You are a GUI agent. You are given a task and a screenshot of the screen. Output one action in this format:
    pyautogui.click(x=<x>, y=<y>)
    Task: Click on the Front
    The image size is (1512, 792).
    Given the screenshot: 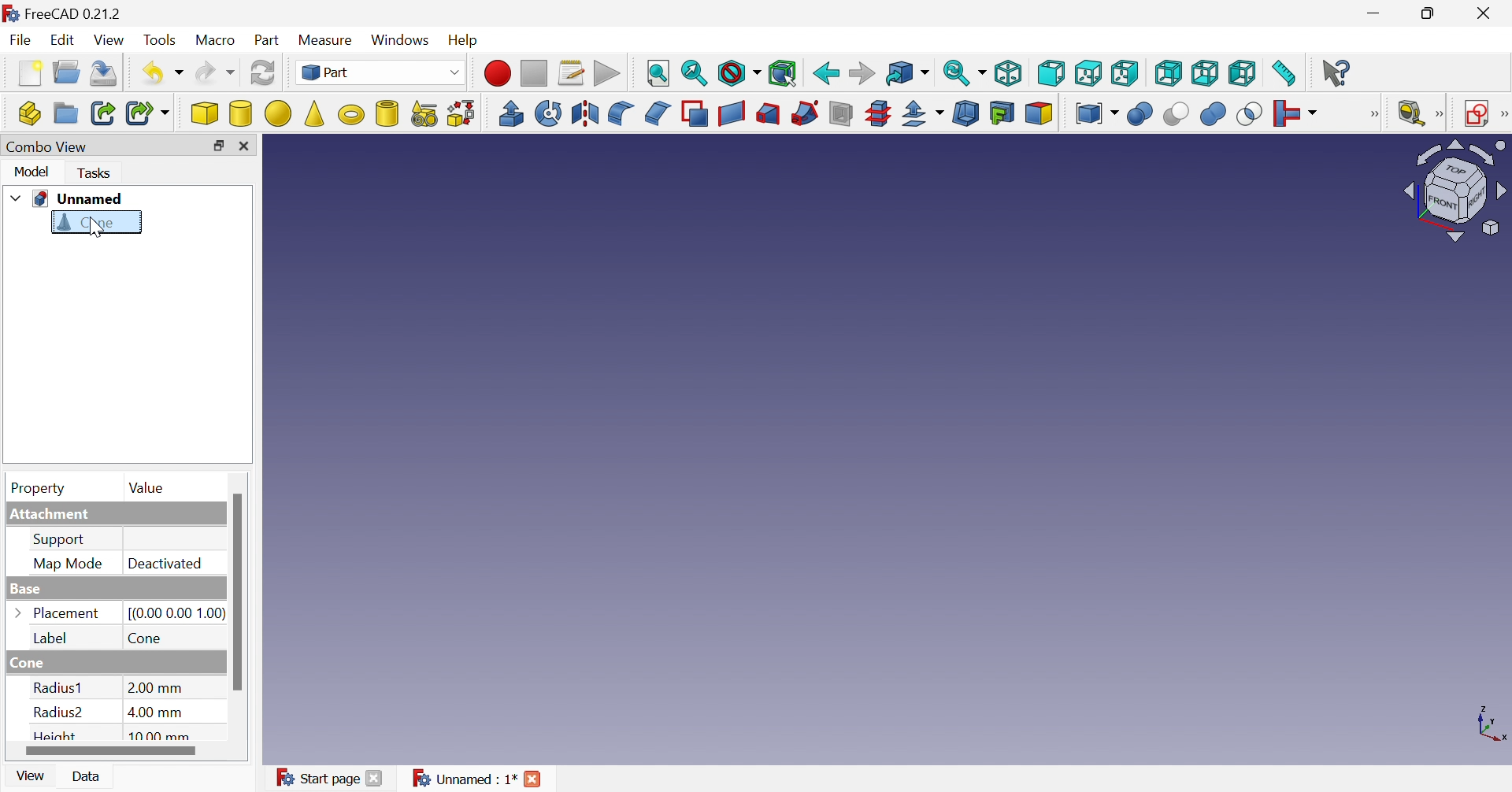 What is the action you would take?
    pyautogui.click(x=1051, y=72)
    